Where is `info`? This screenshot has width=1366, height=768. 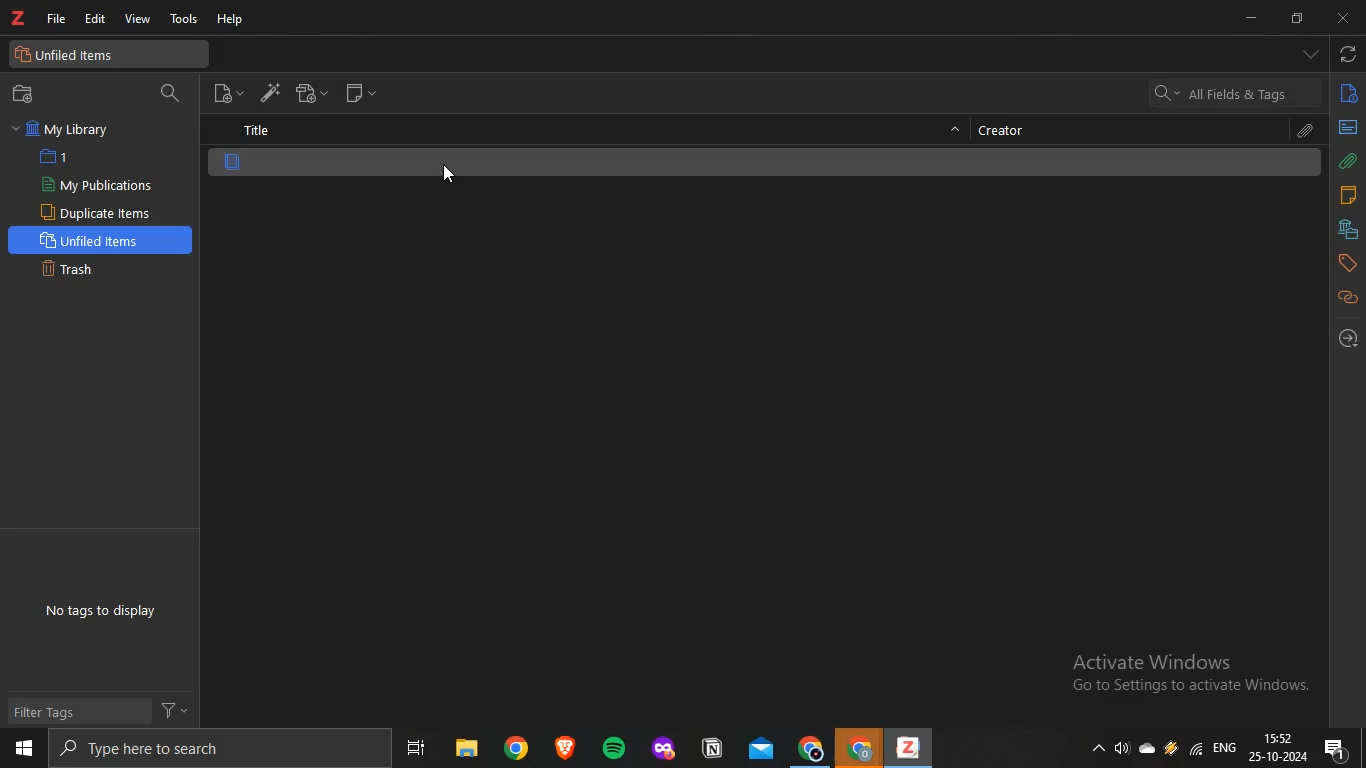 info is located at coordinates (1349, 97).